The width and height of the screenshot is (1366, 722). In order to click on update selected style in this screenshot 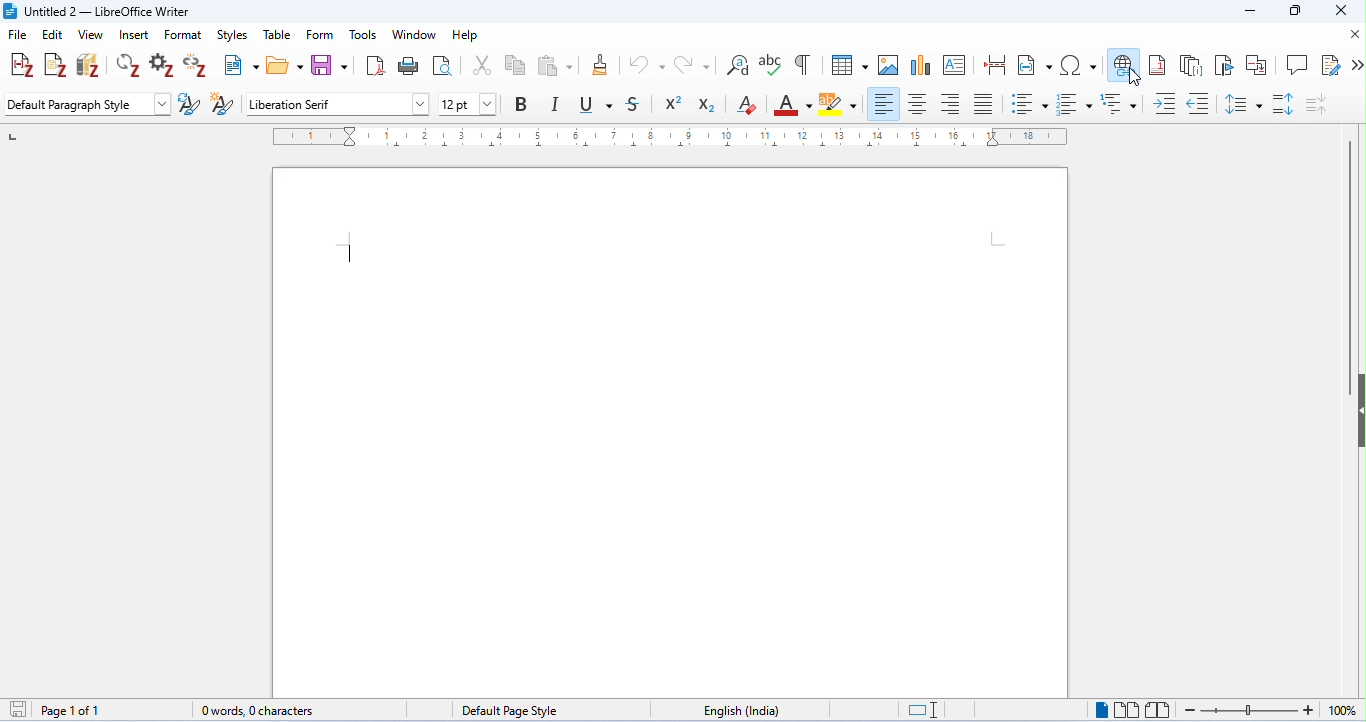, I will do `click(190, 105)`.